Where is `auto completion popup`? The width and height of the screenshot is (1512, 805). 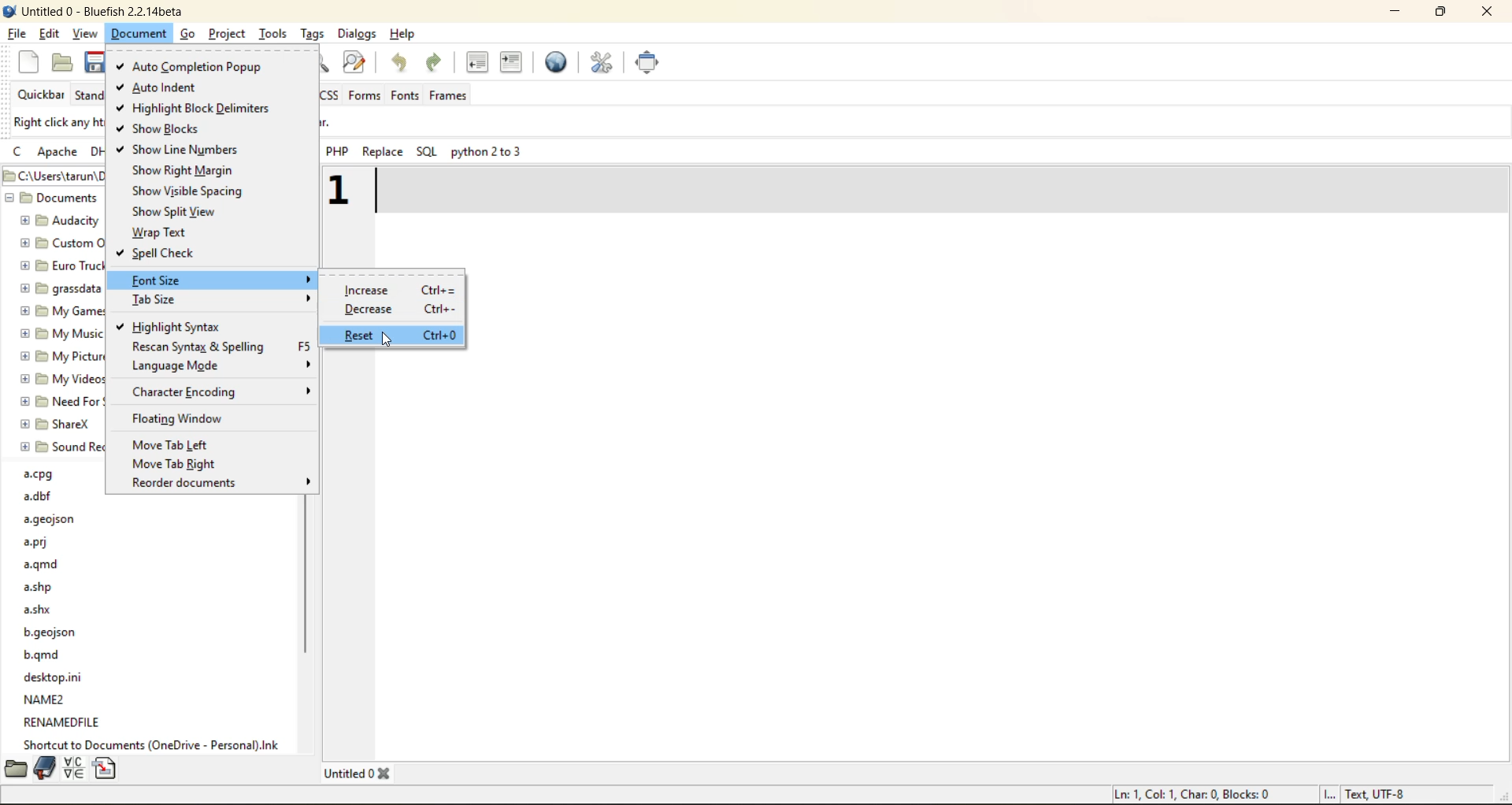
auto completion popup is located at coordinates (205, 65).